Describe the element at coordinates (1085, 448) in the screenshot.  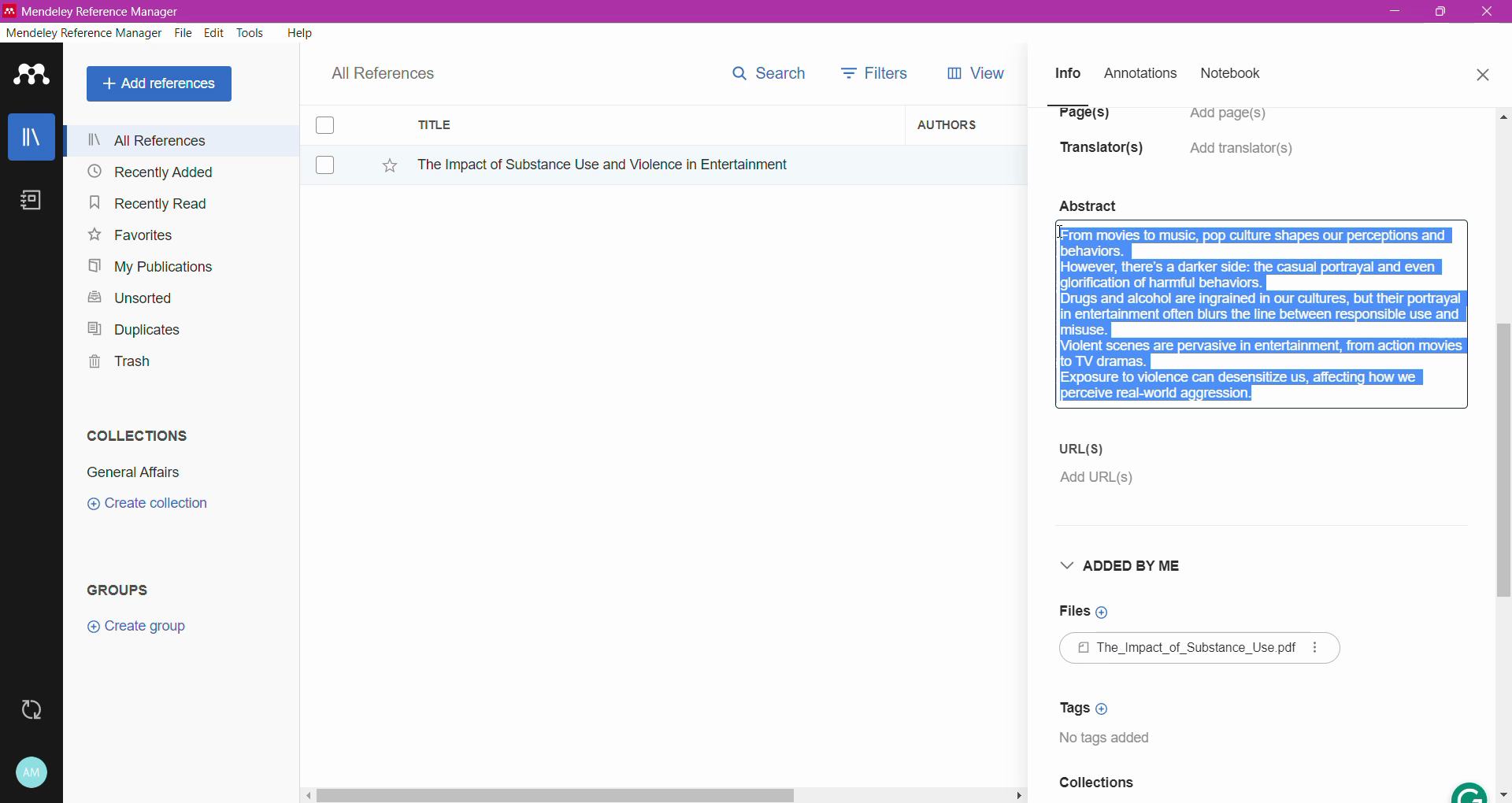
I see `URL(S)` at that location.